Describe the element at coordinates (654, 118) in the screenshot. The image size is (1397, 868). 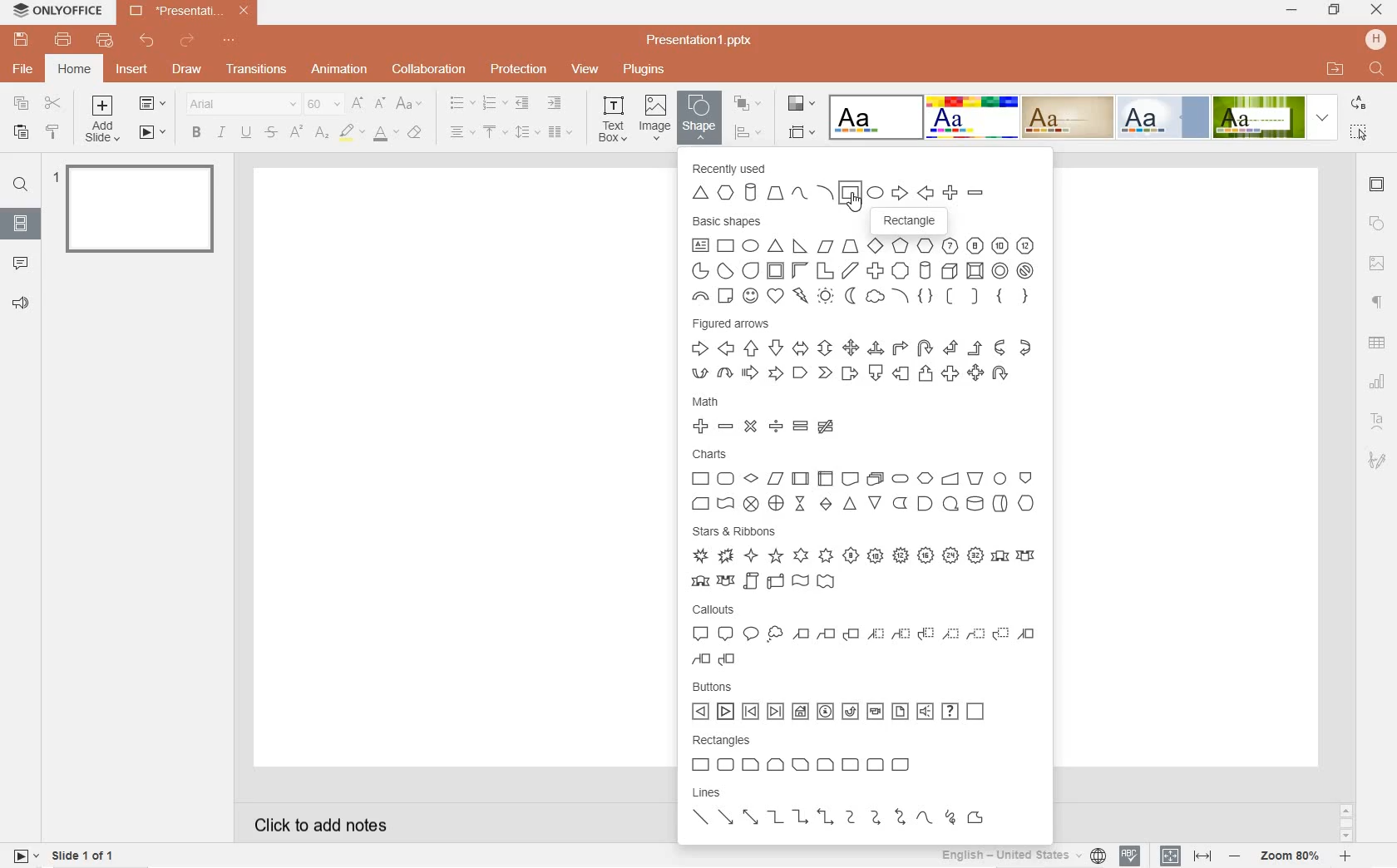
I see `image` at that location.